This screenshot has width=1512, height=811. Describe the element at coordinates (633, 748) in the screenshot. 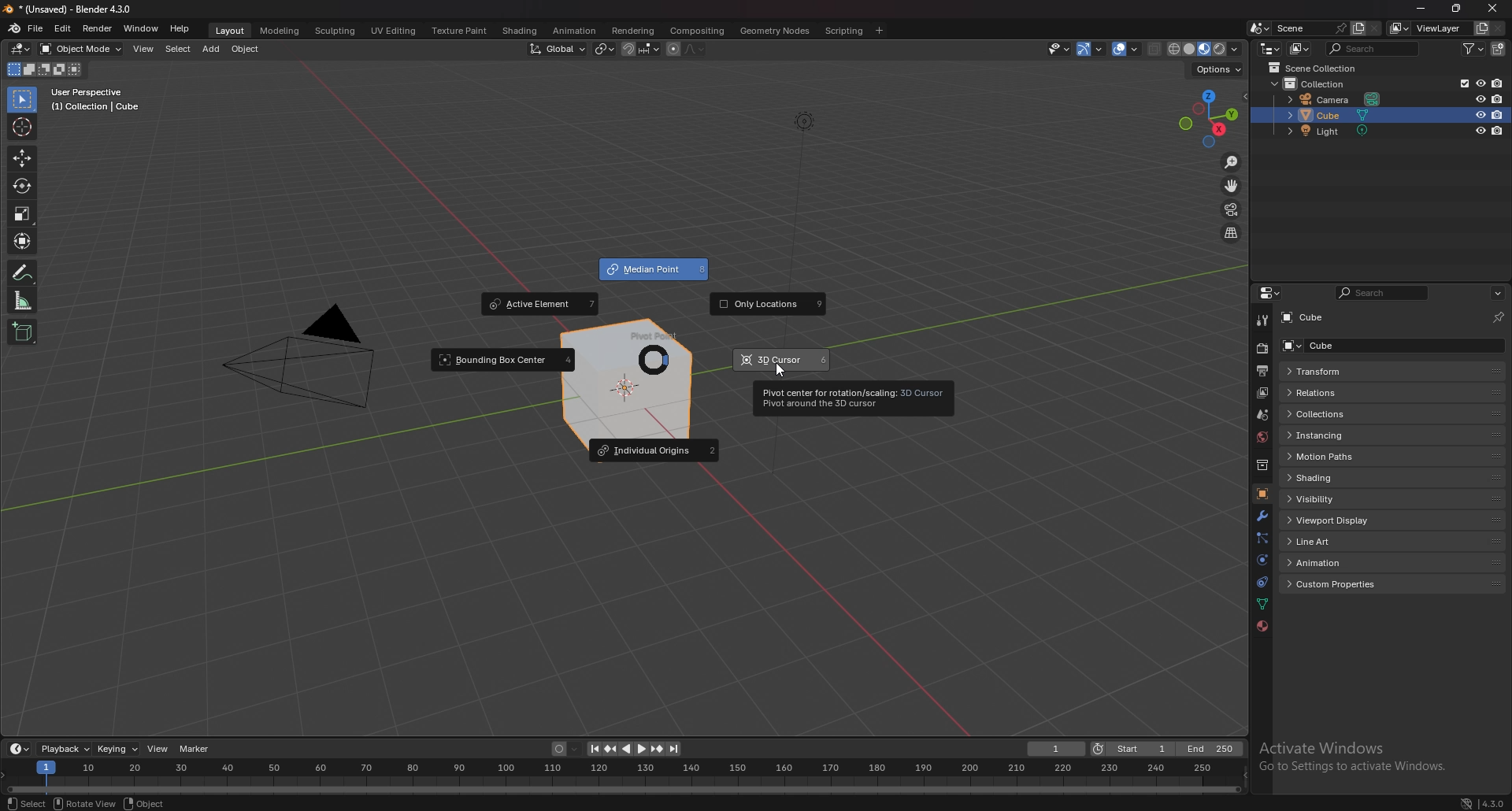

I see `play animation` at that location.